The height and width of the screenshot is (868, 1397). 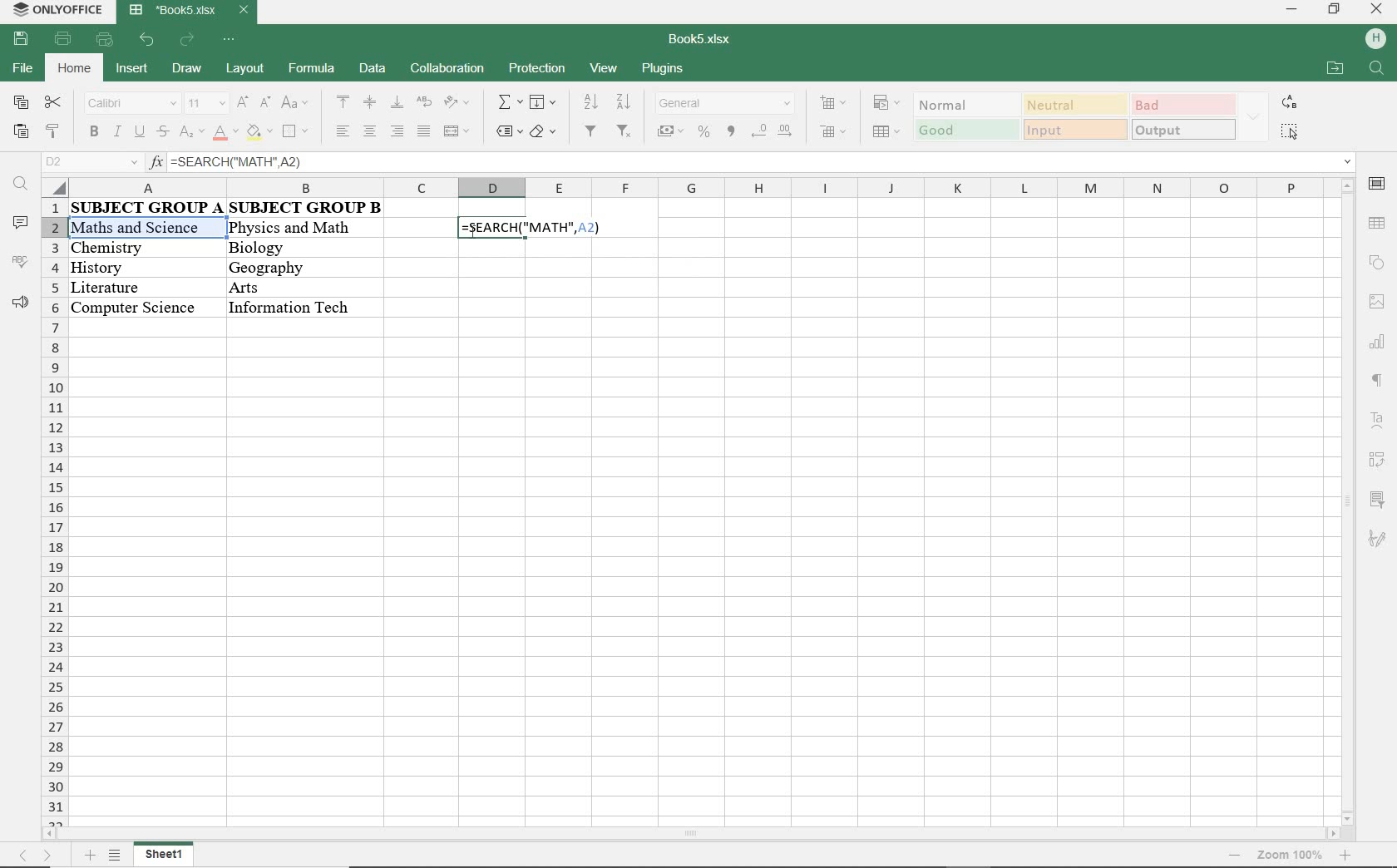 What do you see at coordinates (53, 101) in the screenshot?
I see `cut` at bounding box center [53, 101].